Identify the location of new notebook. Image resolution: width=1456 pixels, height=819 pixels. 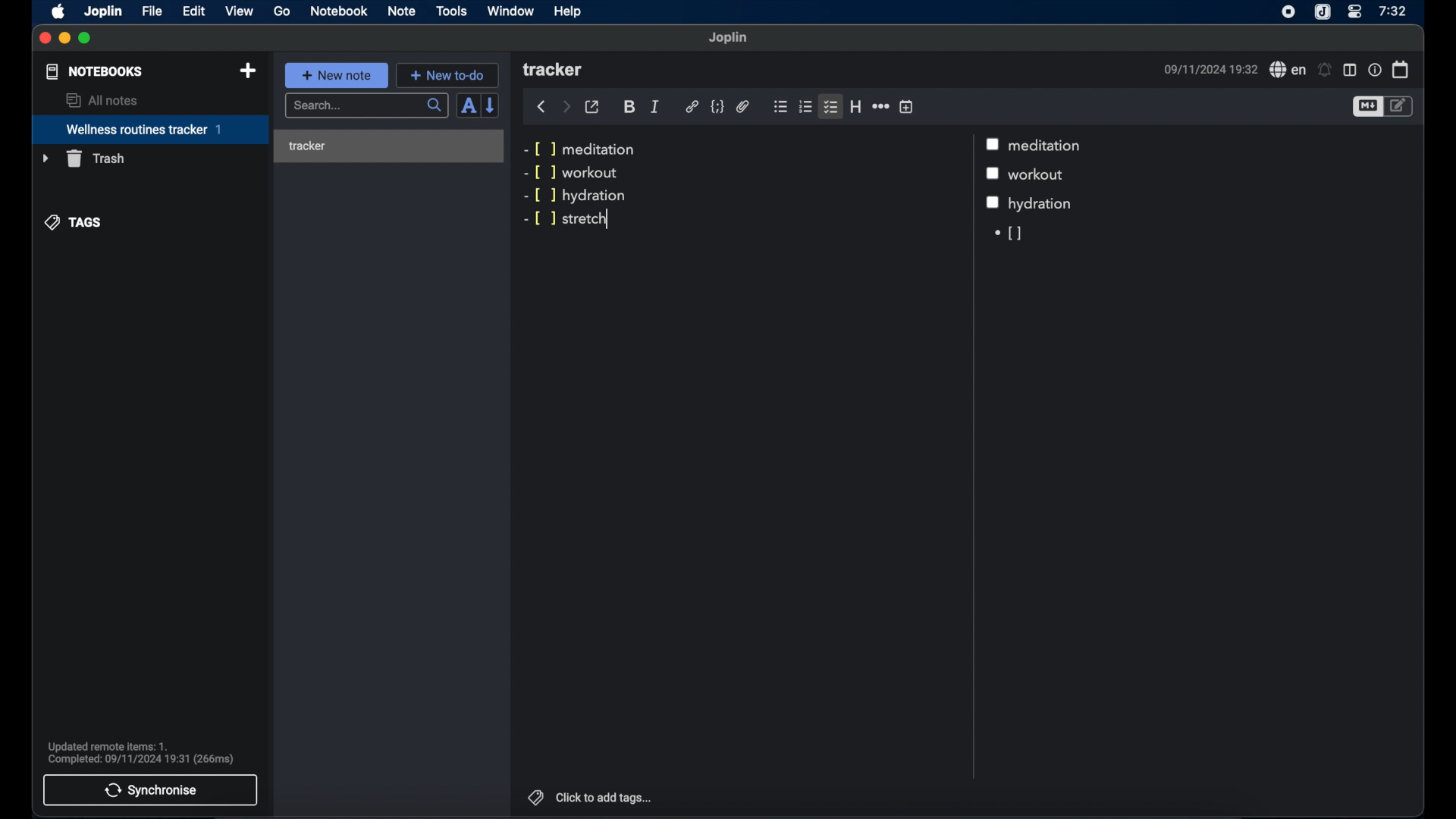
(249, 71).